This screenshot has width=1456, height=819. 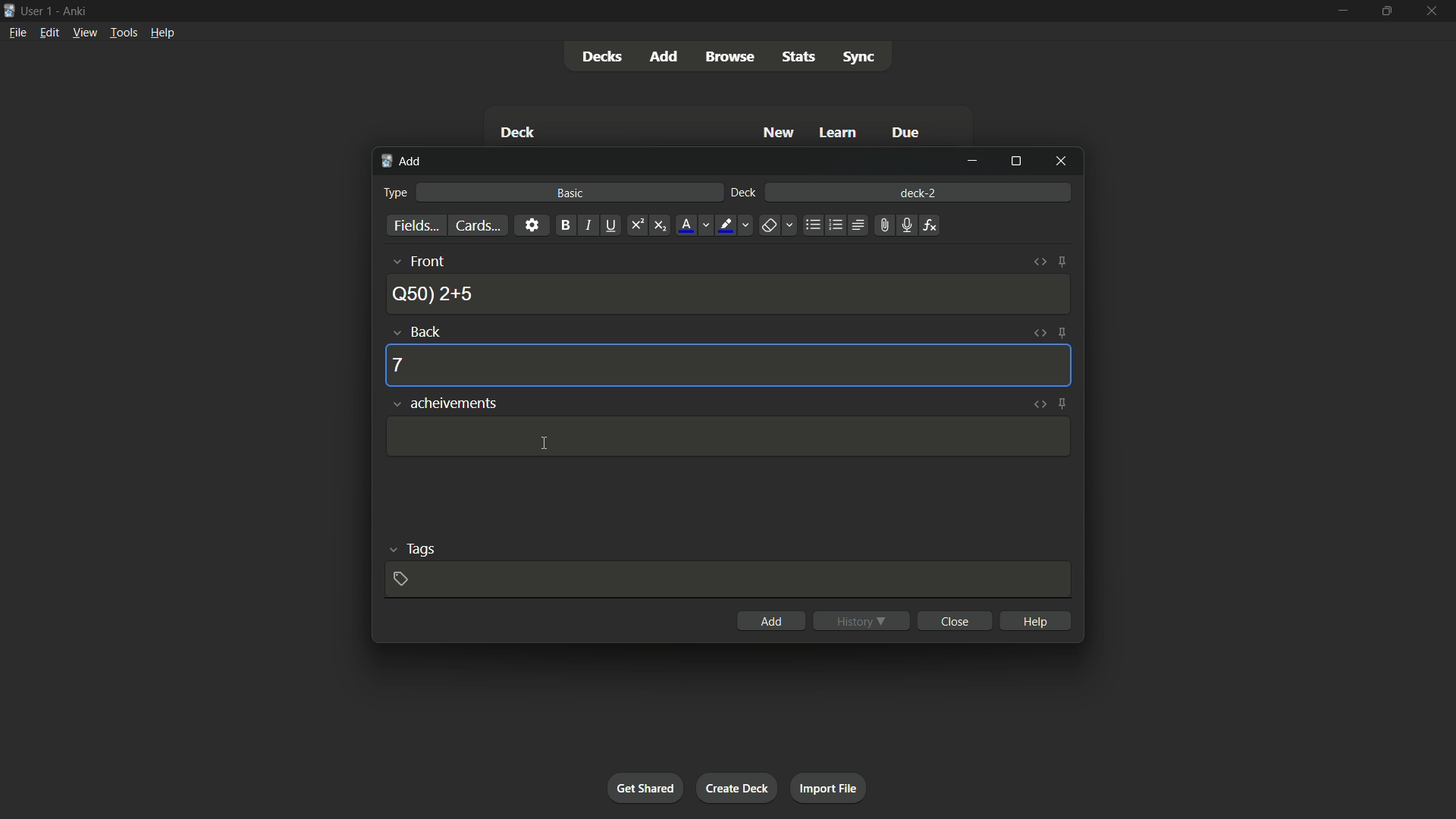 What do you see at coordinates (516, 132) in the screenshot?
I see `Deck` at bounding box center [516, 132].